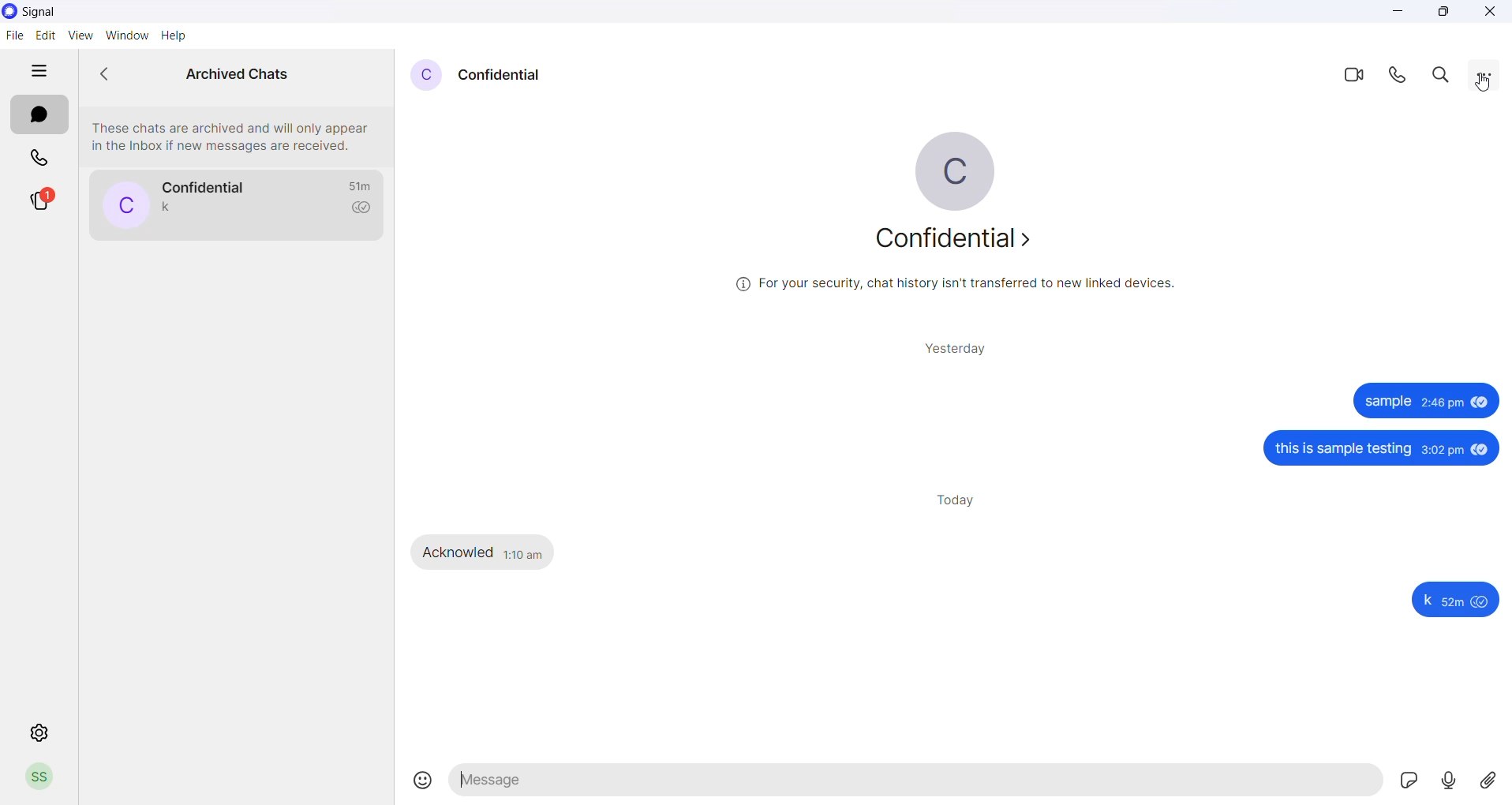 The width and height of the screenshot is (1512, 805). What do you see at coordinates (39, 116) in the screenshot?
I see `chats` at bounding box center [39, 116].